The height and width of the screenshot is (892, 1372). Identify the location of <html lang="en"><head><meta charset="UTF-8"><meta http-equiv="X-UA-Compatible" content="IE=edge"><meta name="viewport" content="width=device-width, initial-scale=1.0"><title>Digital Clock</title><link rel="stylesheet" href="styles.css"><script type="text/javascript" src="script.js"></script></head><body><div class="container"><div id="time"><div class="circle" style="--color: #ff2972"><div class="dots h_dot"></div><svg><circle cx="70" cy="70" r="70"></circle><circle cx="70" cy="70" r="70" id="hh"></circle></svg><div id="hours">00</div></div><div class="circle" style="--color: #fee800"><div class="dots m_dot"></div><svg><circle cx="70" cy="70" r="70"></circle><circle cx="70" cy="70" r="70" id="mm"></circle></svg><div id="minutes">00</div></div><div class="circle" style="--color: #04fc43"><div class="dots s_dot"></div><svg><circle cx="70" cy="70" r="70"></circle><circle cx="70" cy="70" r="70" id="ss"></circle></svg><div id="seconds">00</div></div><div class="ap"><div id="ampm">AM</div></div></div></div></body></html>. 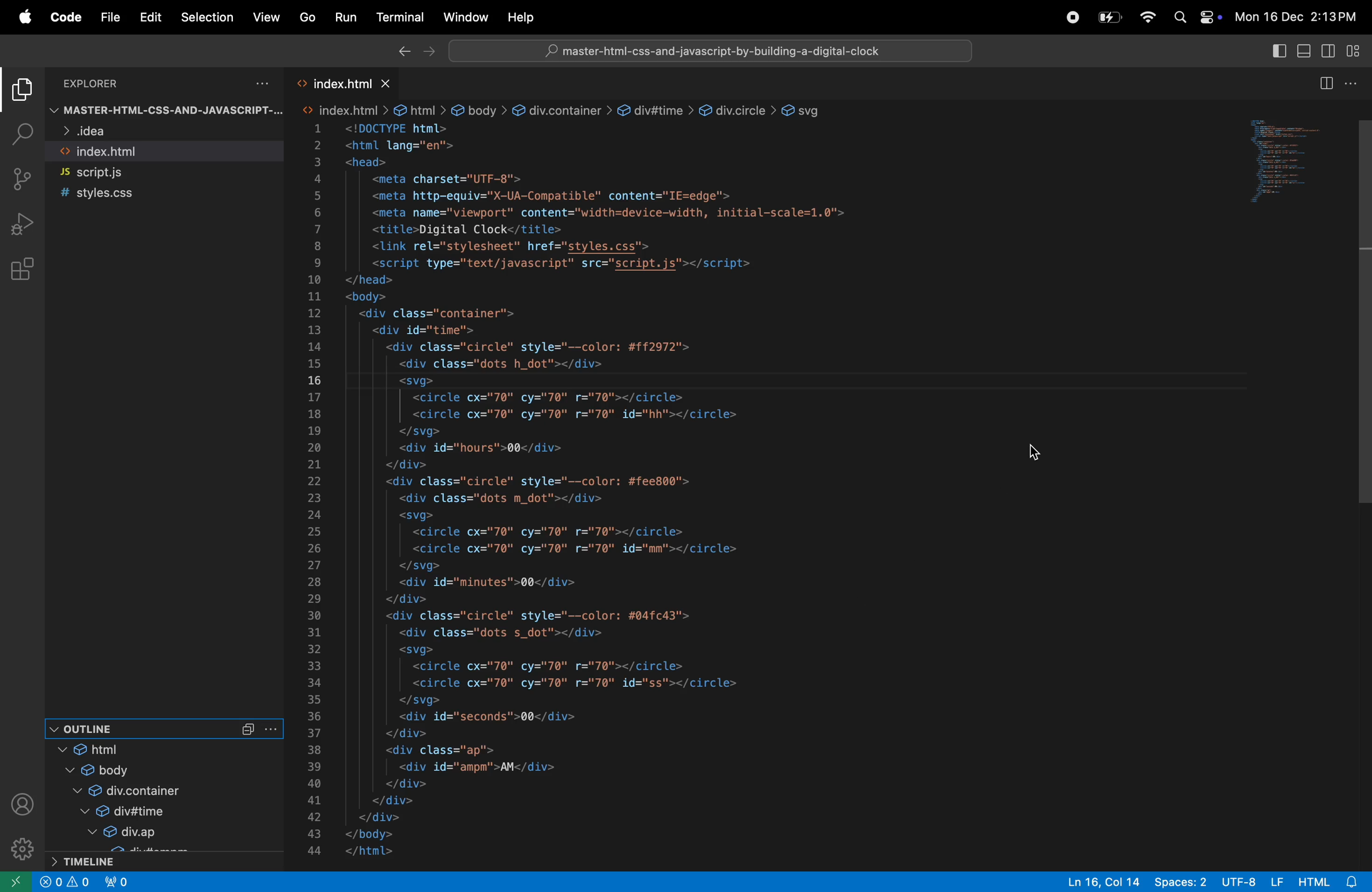
(597, 492).